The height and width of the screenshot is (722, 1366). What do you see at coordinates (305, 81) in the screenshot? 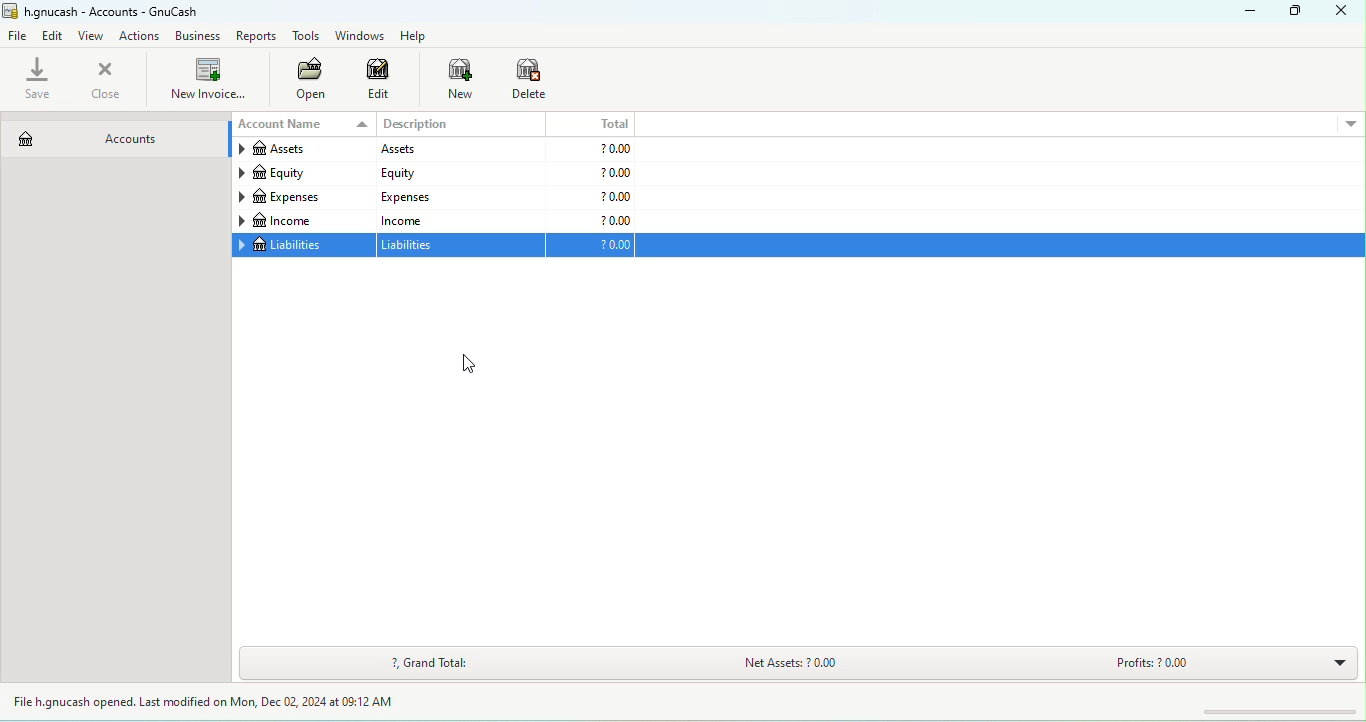
I see `open` at bounding box center [305, 81].